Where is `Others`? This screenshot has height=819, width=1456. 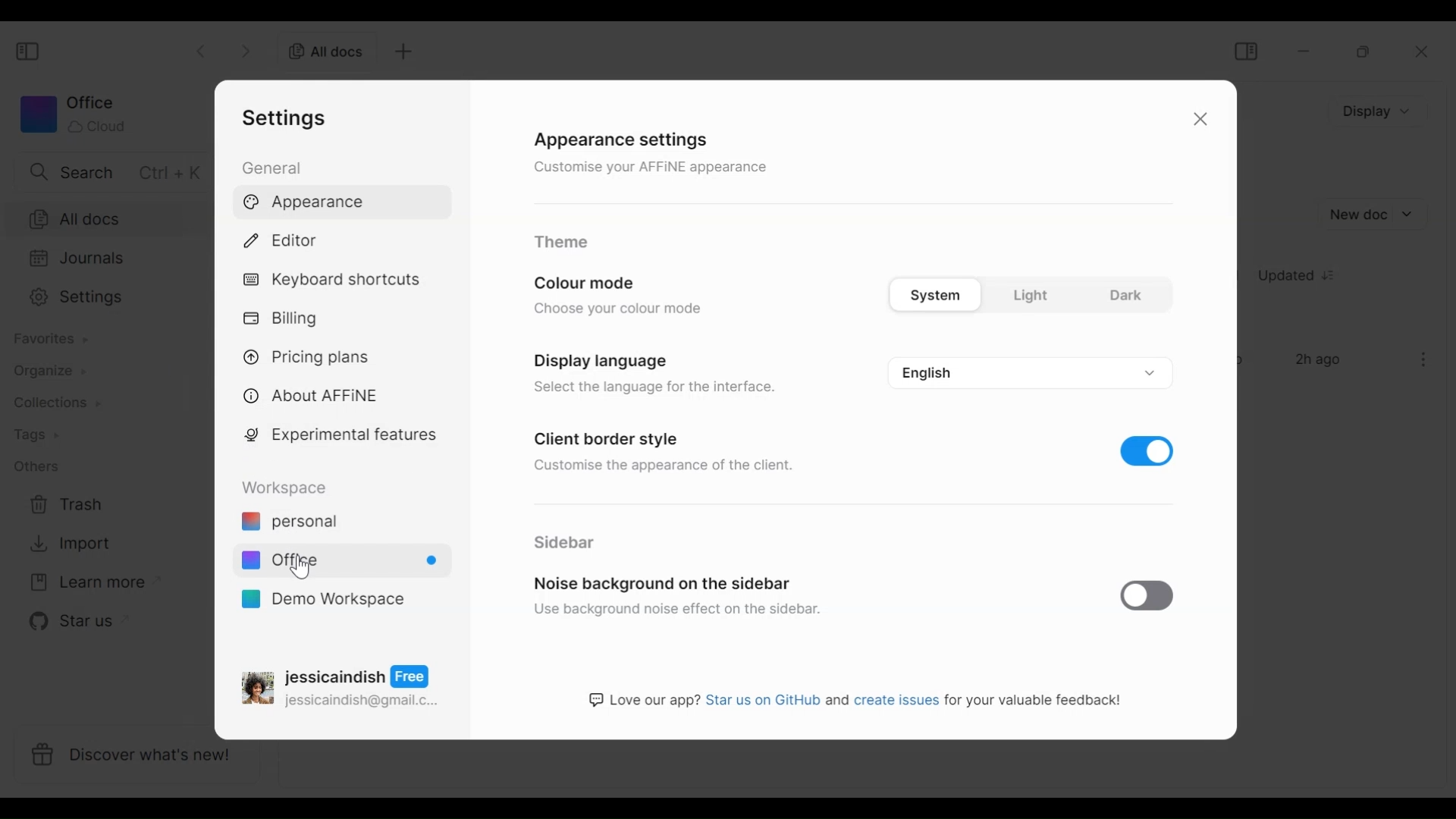
Others is located at coordinates (36, 466).